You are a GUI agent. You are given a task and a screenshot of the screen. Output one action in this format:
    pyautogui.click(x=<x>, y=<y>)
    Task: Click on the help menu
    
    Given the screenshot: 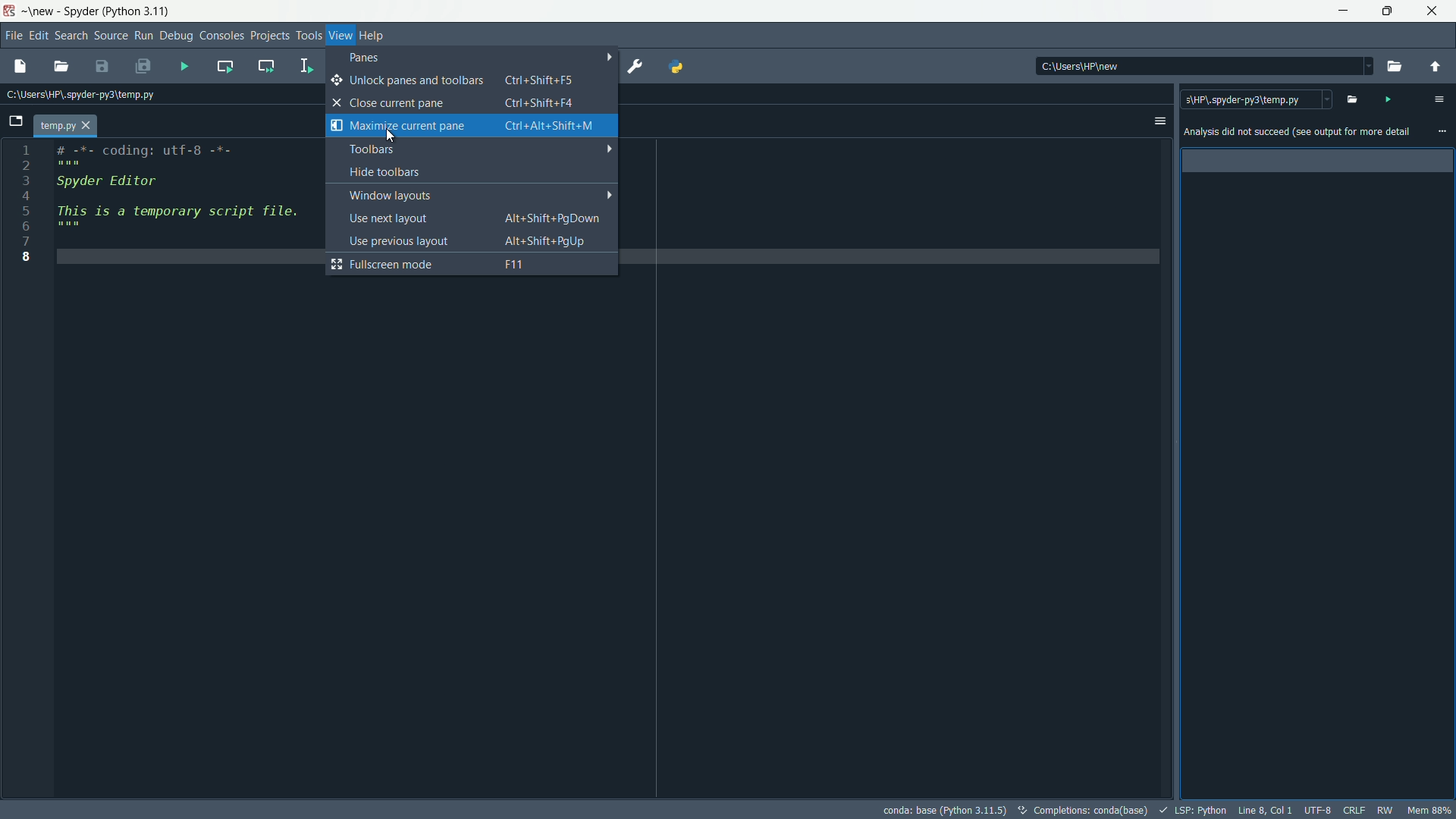 What is the action you would take?
    pyautogui.click(x=372, y=36)
    